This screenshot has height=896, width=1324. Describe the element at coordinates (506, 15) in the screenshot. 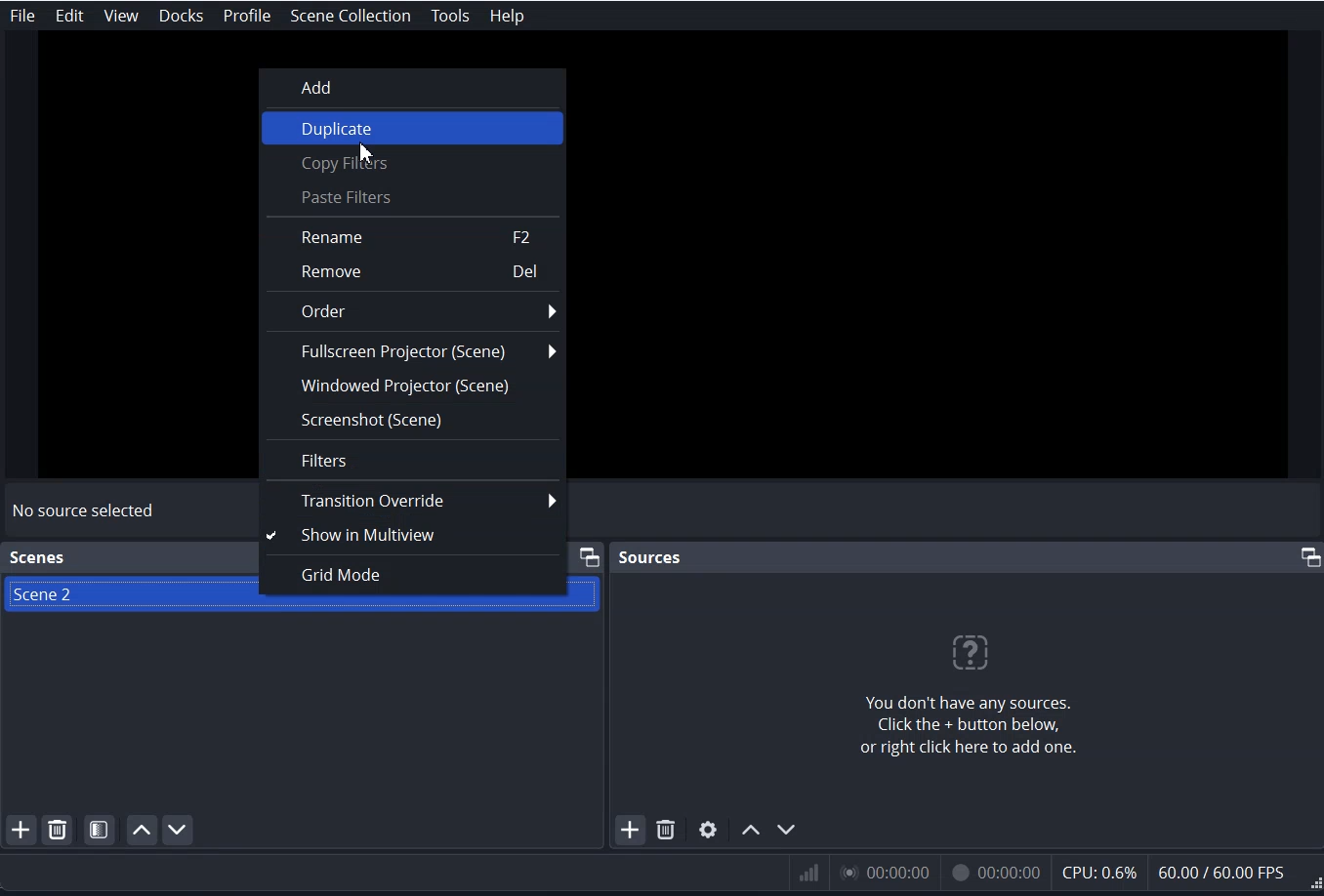

I see `Help` at that location.